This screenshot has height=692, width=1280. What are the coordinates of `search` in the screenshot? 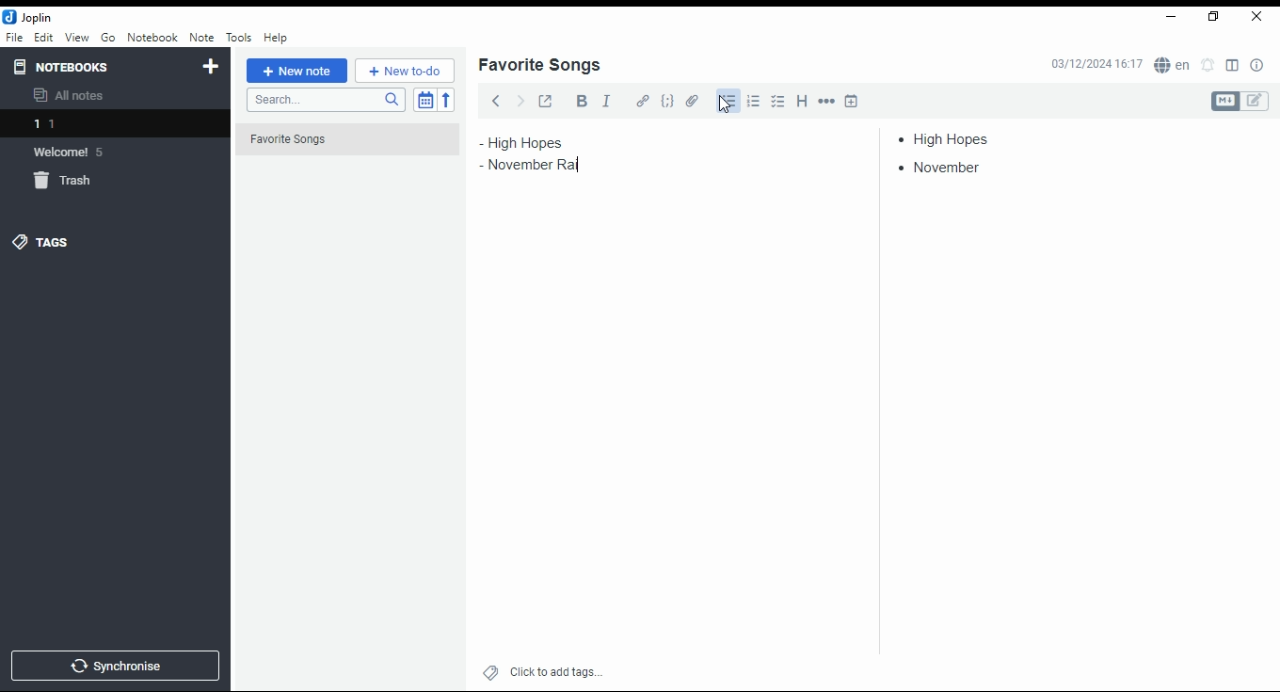 It's located at (325, 100).